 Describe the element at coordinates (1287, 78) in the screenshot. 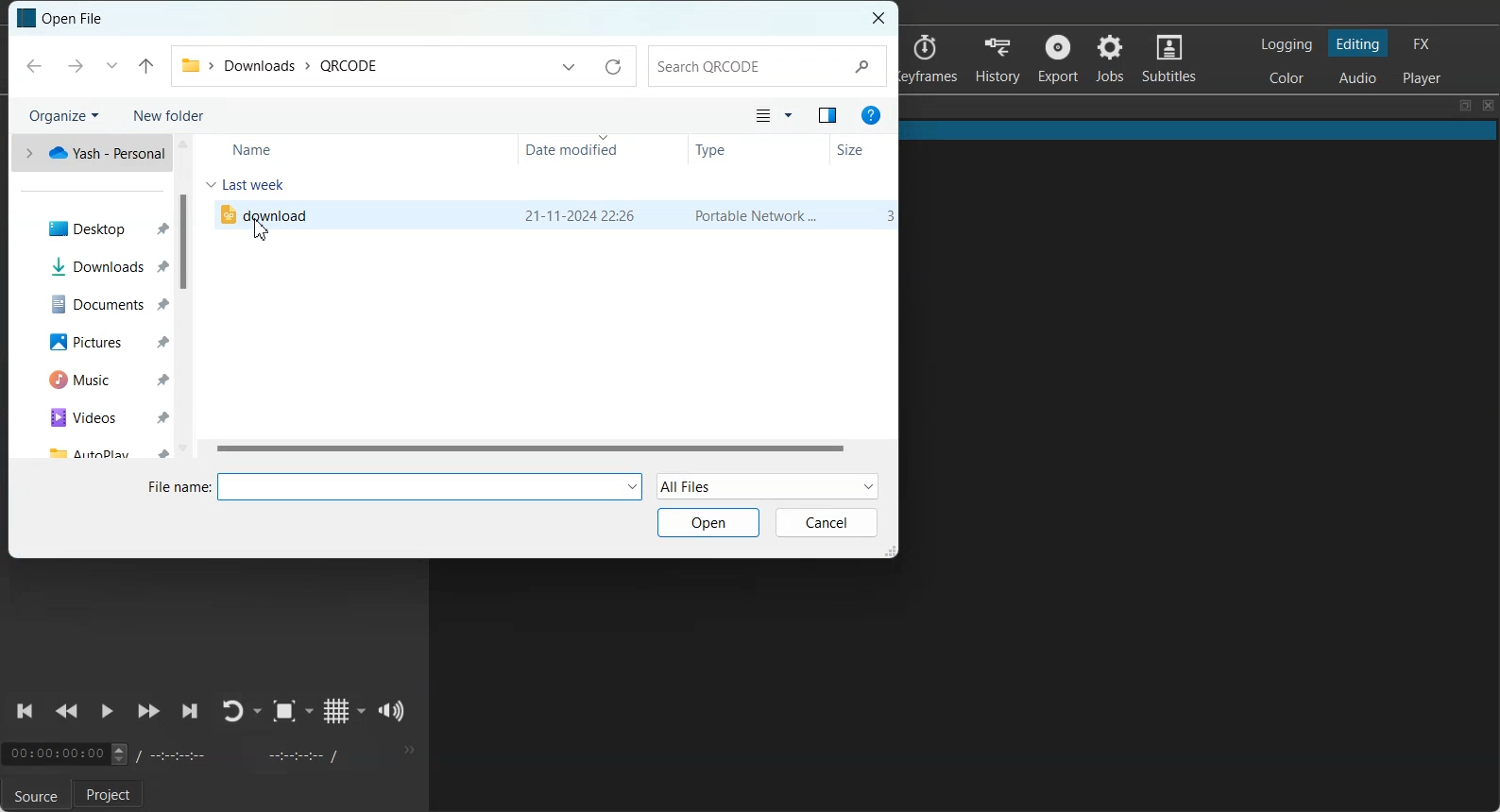

I see `Switching to color Layout` at that location.